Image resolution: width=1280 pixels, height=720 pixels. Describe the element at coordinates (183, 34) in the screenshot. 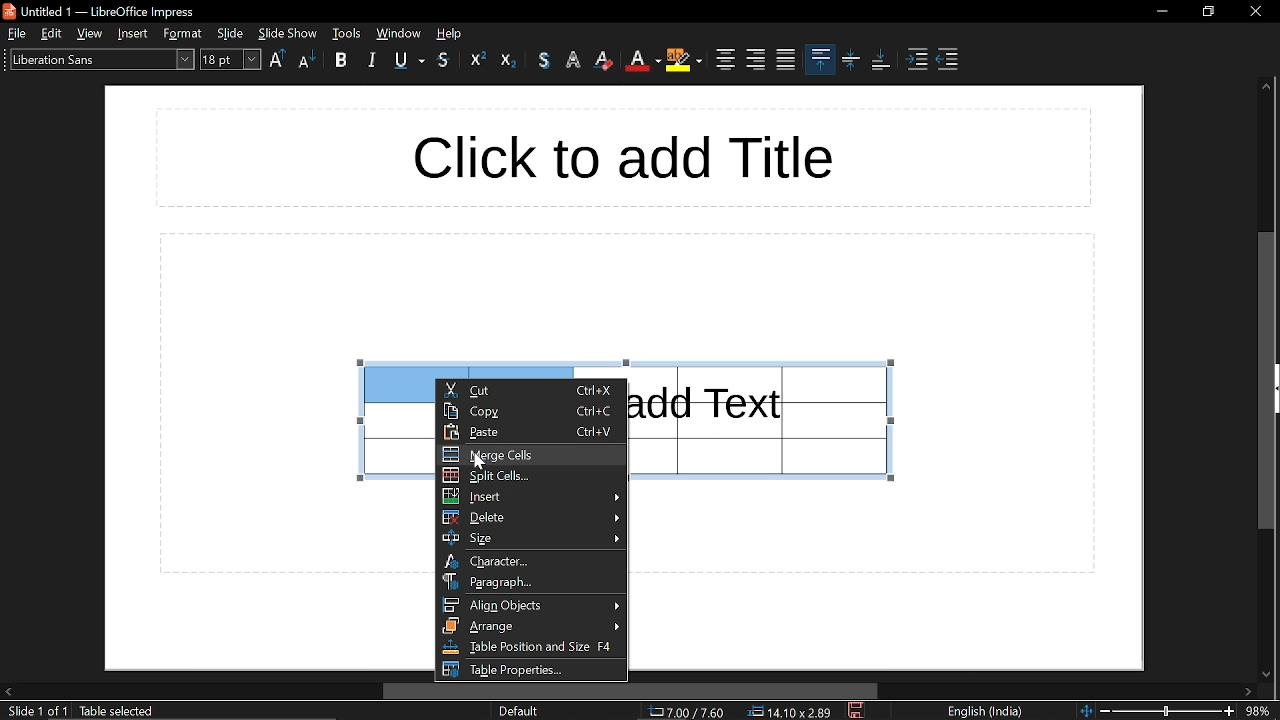

I see `format` at that location.